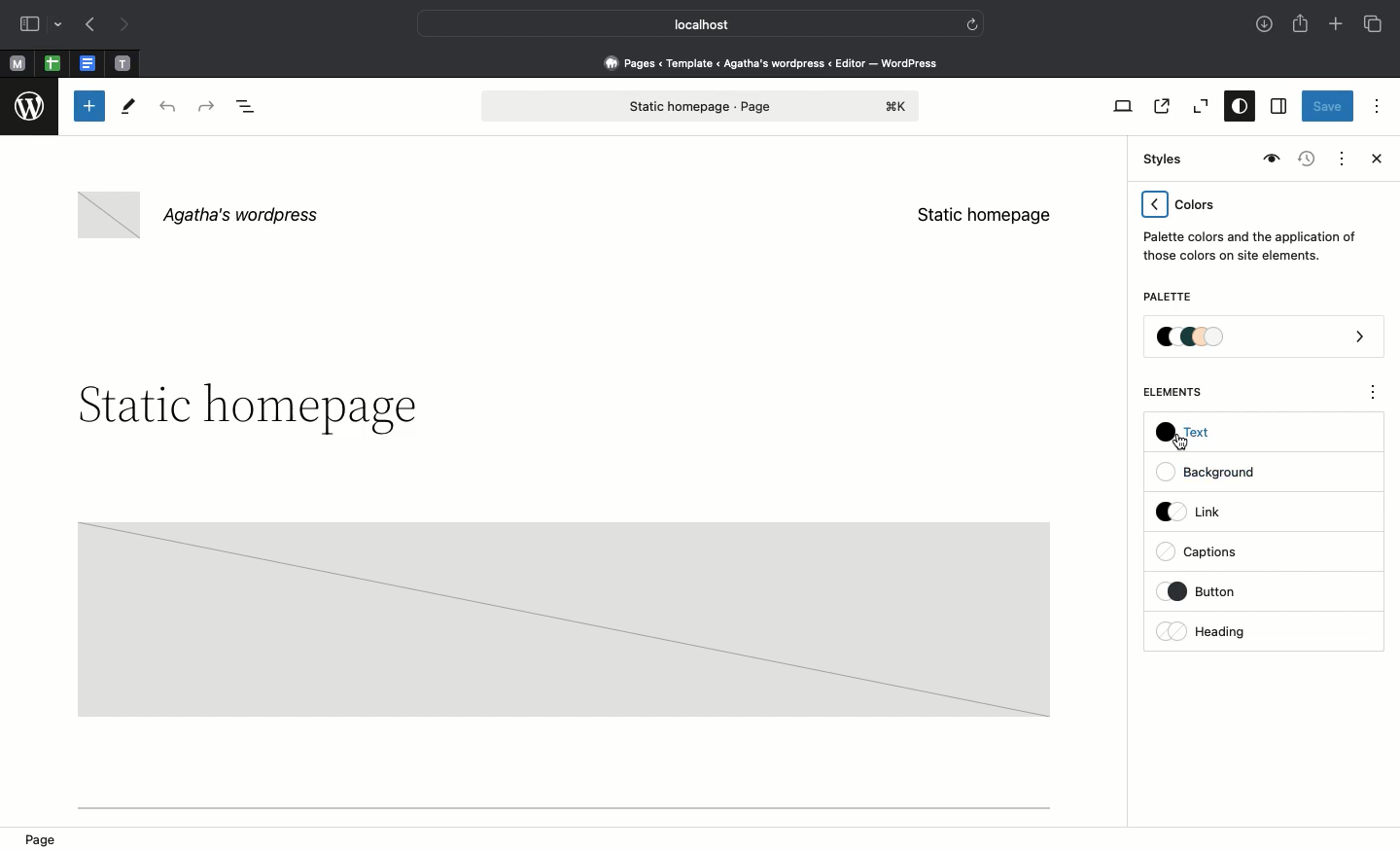 The image size is (1400, 850). Describe the element at coordinates (1215, 473) in the screenshot. I see `Background` at that location.